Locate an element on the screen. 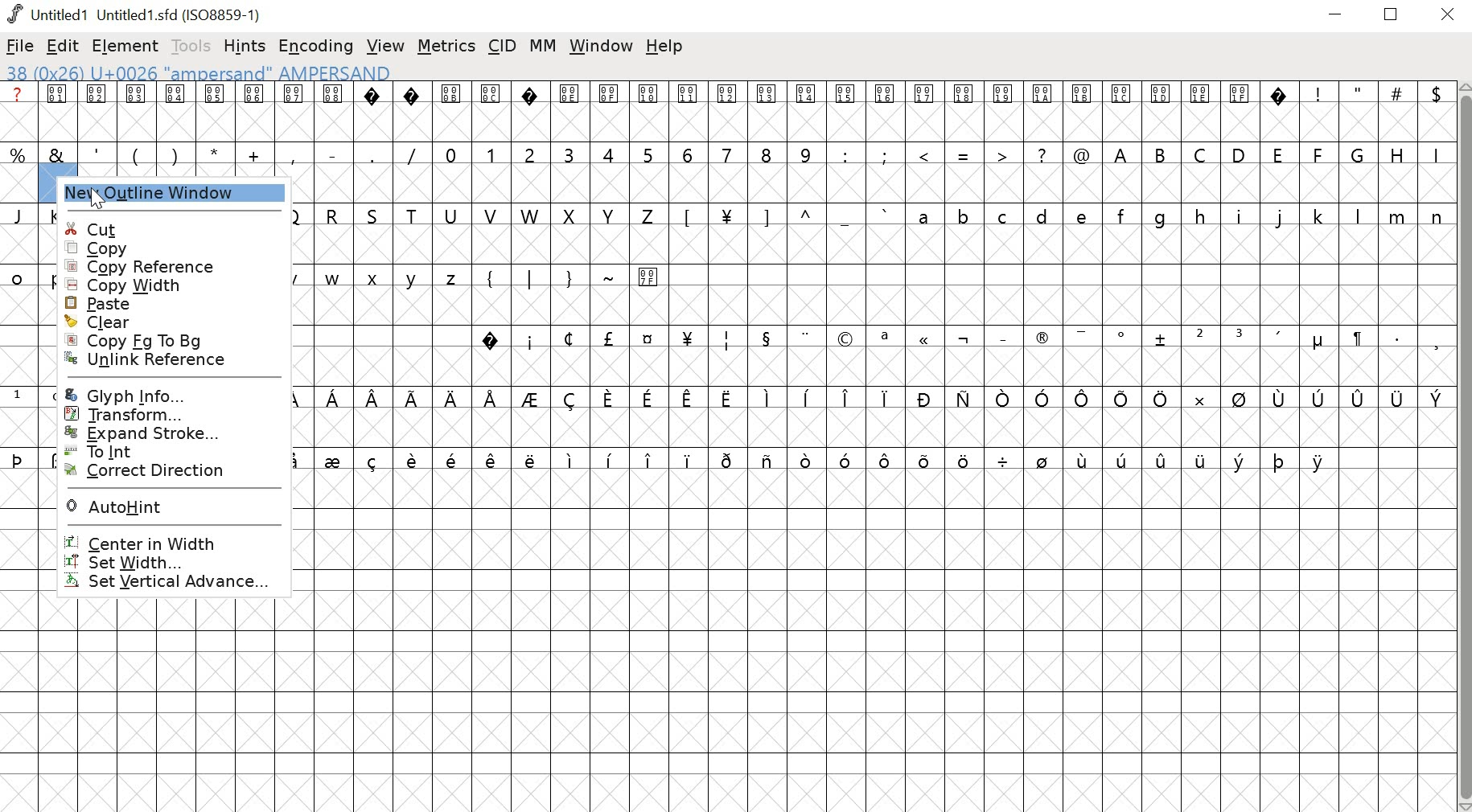 The width and height of the screenshot is (1472, 812). cid is located at coordinates (504, 45).